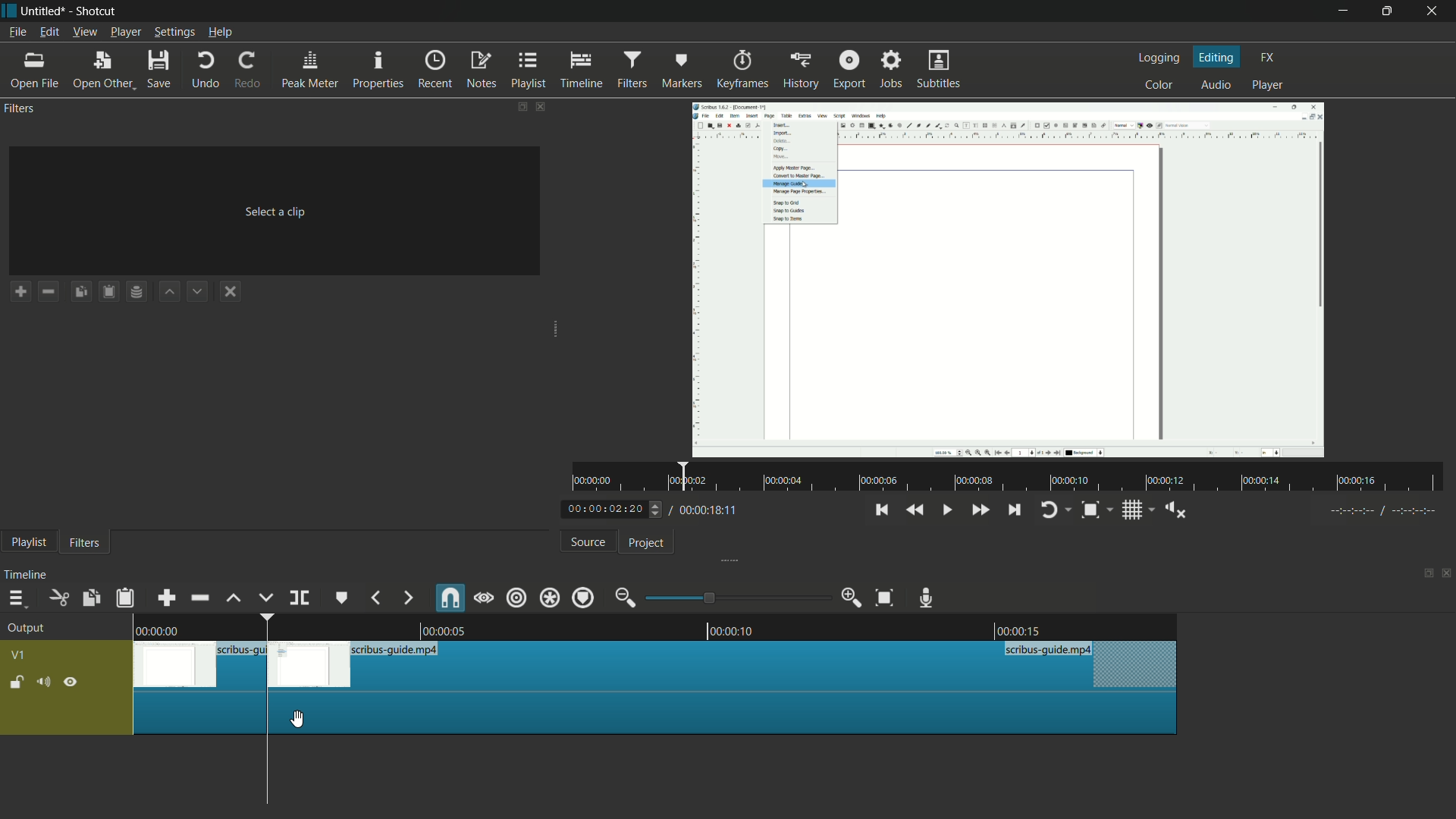 The width and height of the screenshot is (1456, 819). Describe the element at coordinates (15, 598) in the screenshot. I see `timeline menu` at that location.